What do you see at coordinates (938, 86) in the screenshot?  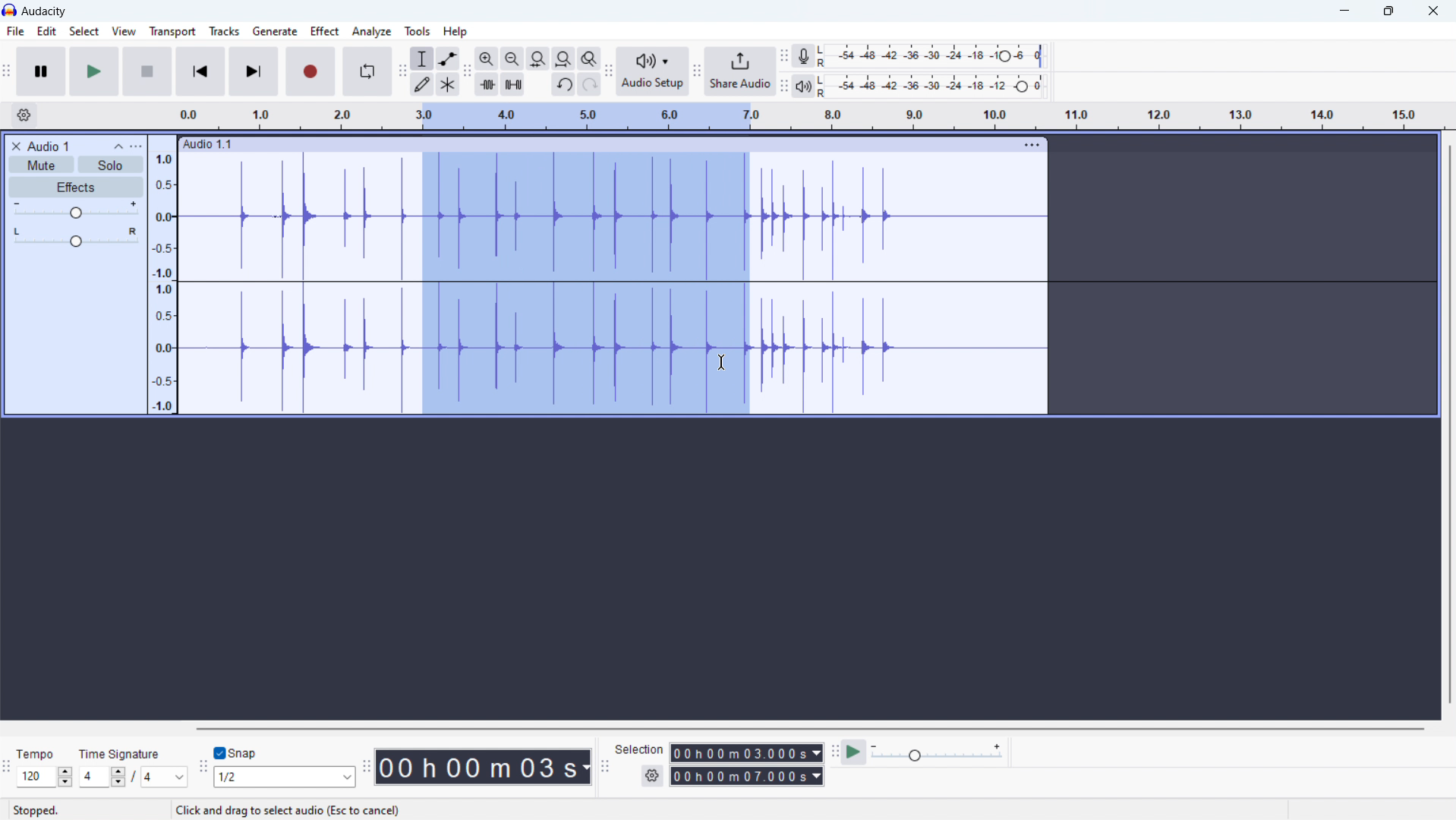 I see `playback level` at bounding box center [938, 86].